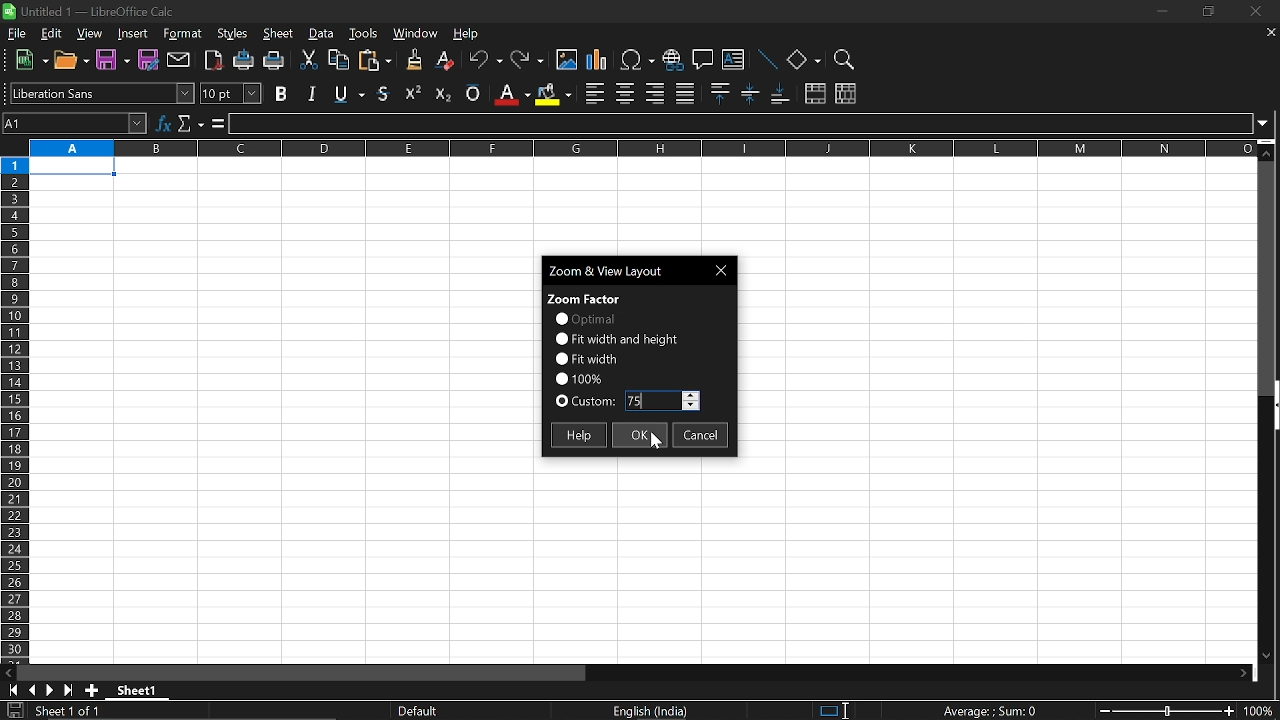 This screenshot has width=1280, height=720. What do you see at coordinates (473, 91) in the screenshot?
I see `overline` at bounding box center [473, 91].